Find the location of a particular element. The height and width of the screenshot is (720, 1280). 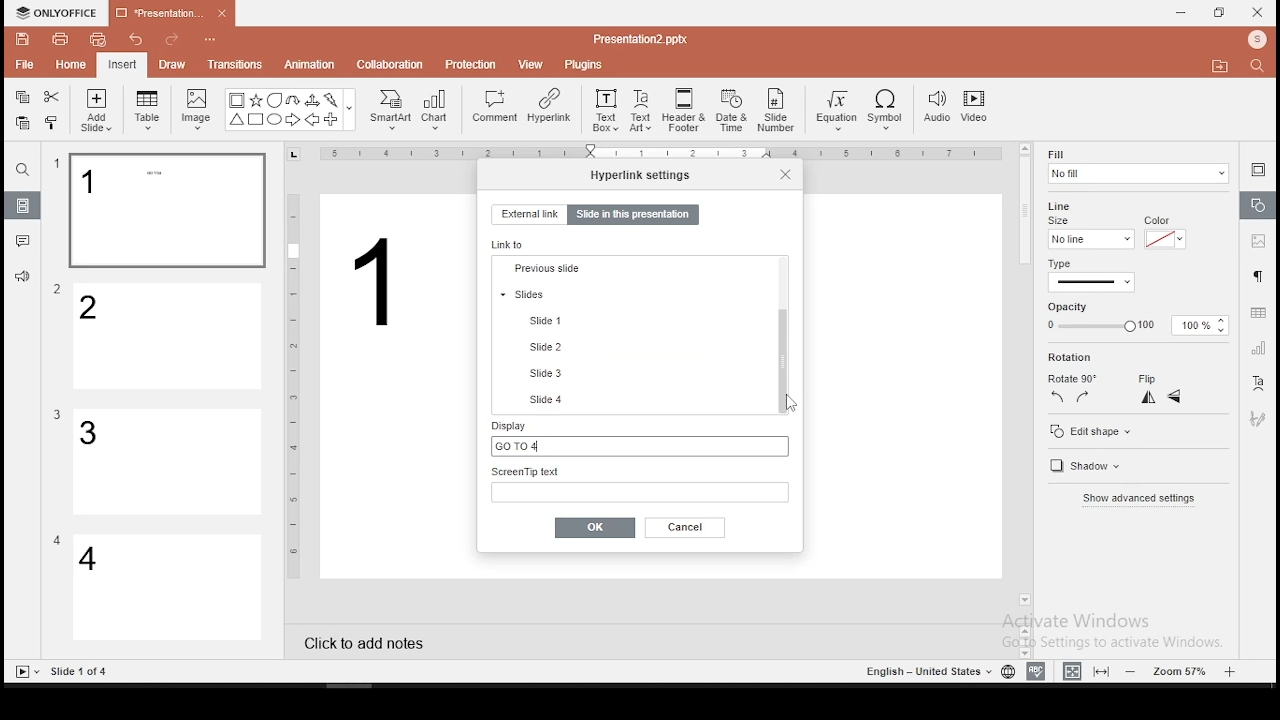

U Arrow is located at coordinates (294, 100).